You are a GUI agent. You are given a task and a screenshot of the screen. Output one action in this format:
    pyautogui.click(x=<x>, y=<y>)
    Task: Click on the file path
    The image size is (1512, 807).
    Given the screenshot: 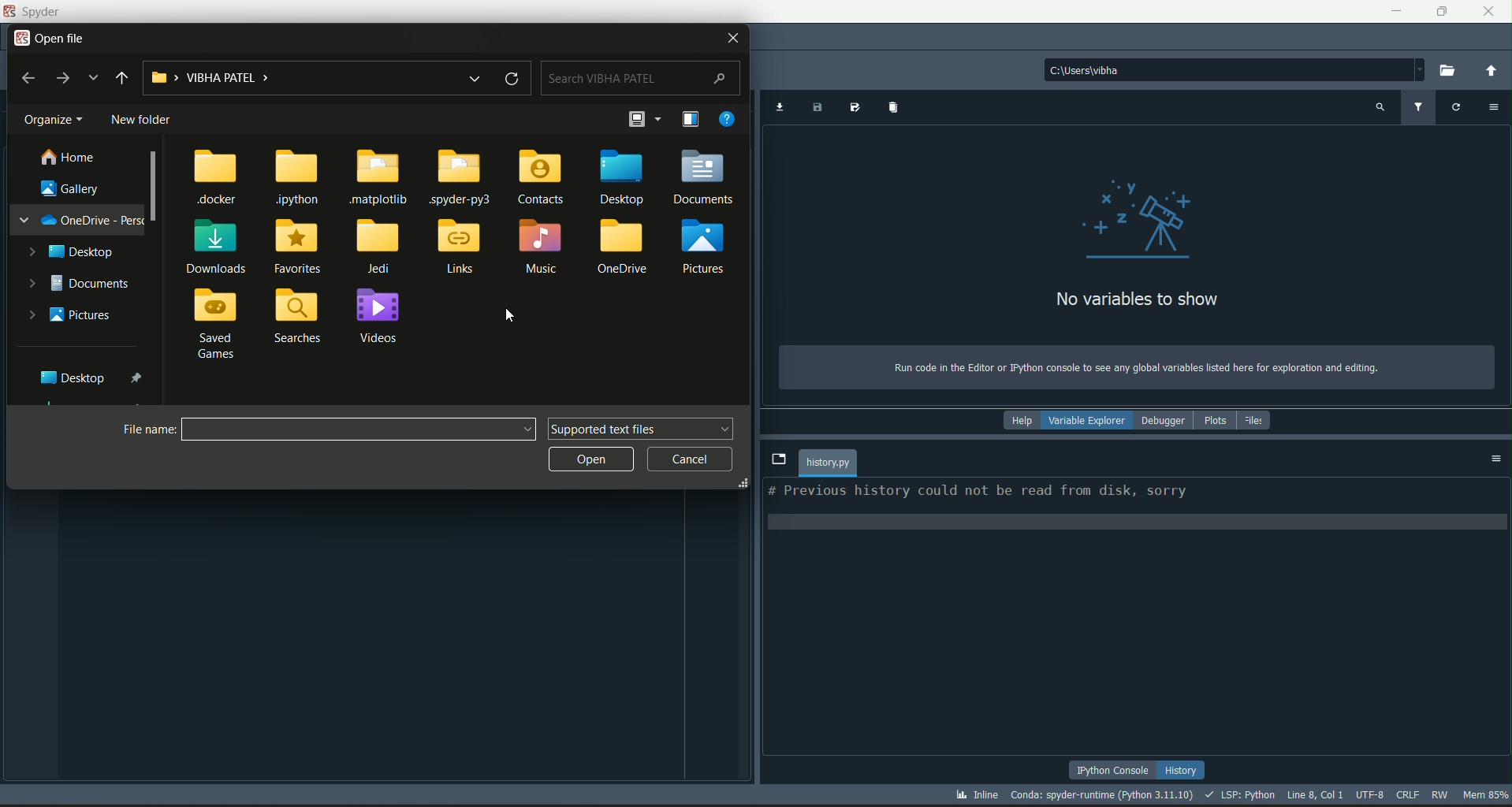 What is the action you would take?
    pyautogui.click(x=292, y=77)
    